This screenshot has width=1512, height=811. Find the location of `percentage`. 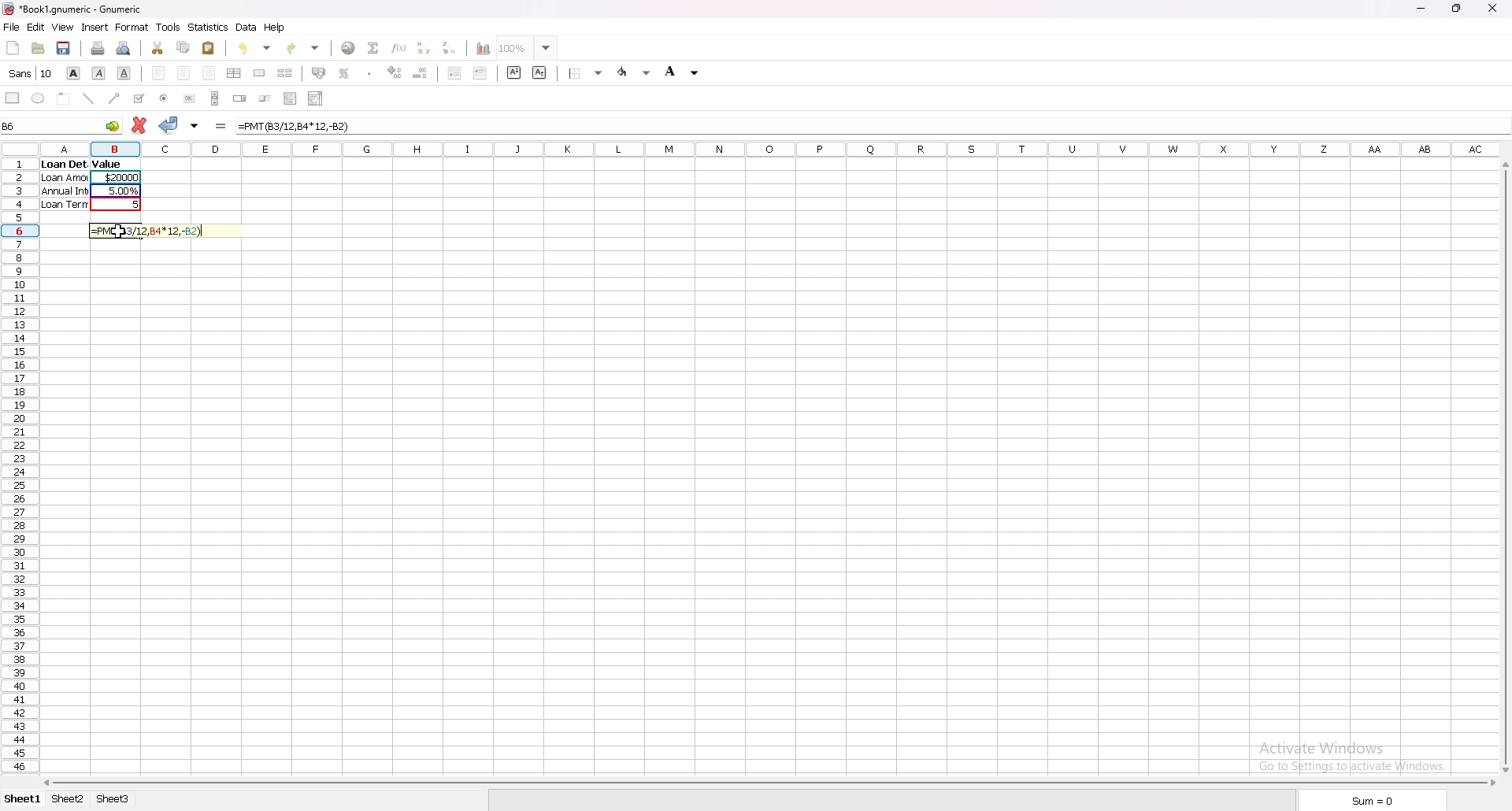

percentage is located at coordinates (343, 73).